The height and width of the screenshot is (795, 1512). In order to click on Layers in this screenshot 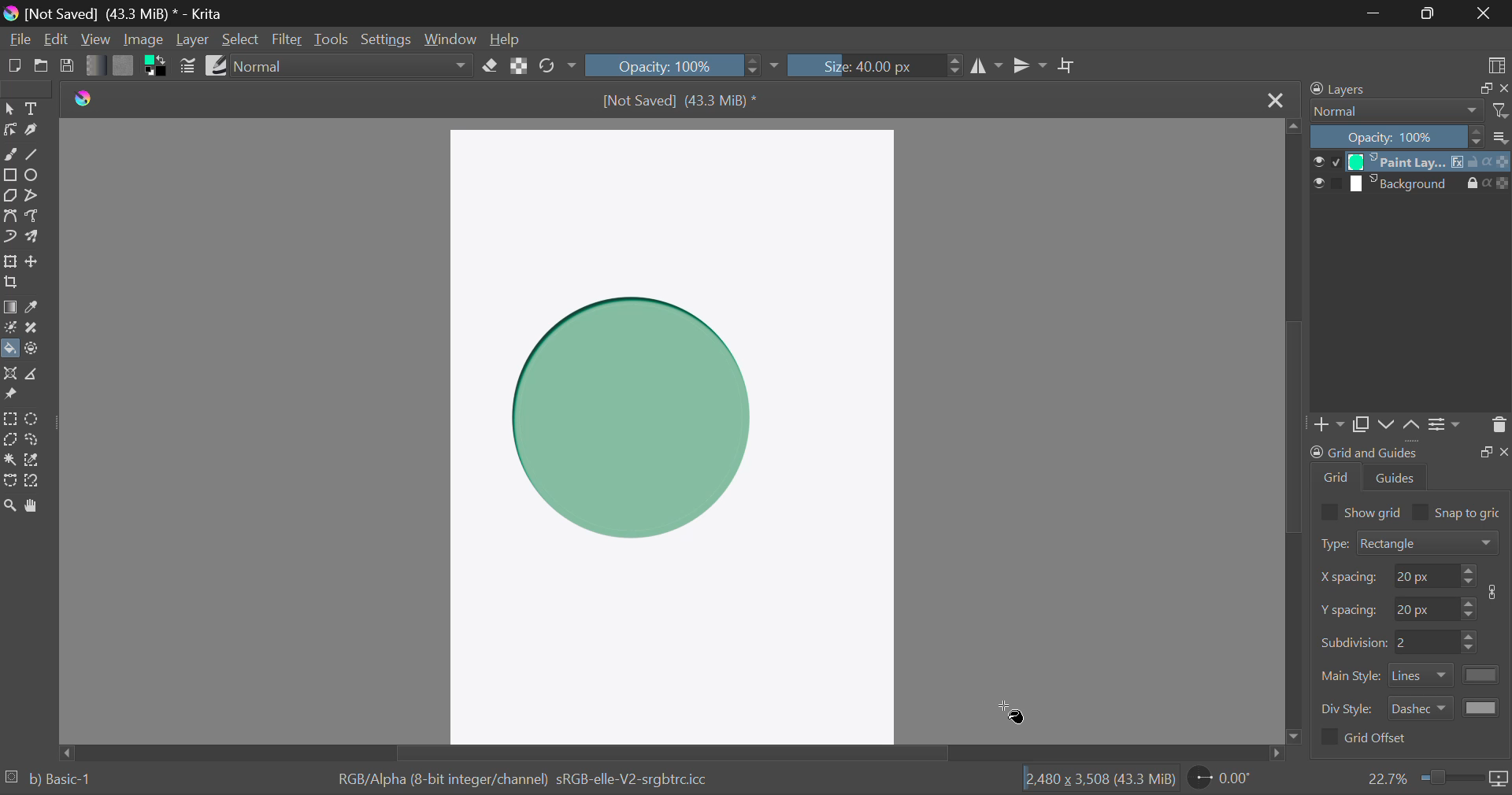, I will do `click(1410, 173)`.